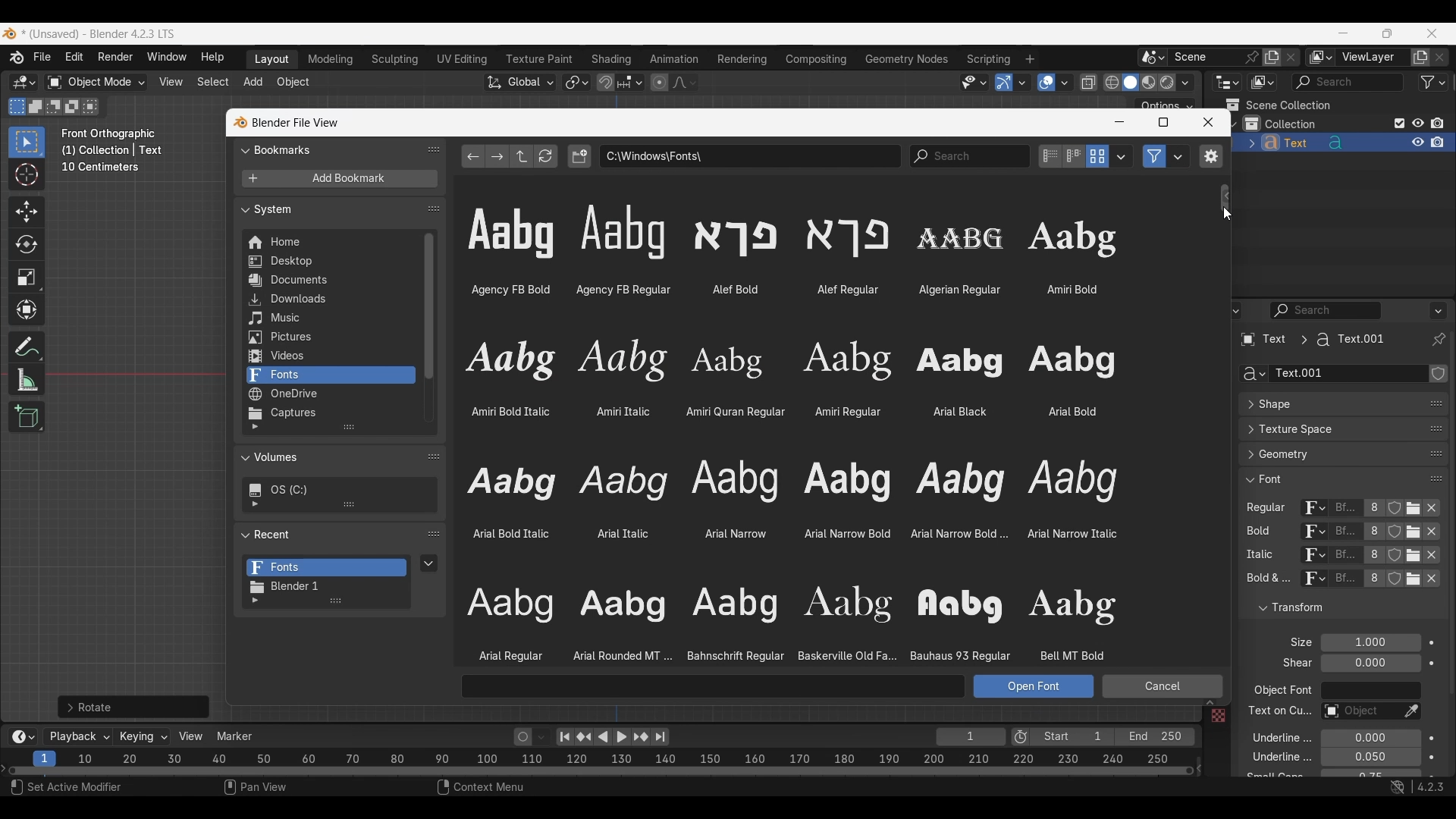 This screenshot has width=1456, height=819. Describe the element at coordinates (27, 417) in the screenshot. I see `Add cube` at that location.